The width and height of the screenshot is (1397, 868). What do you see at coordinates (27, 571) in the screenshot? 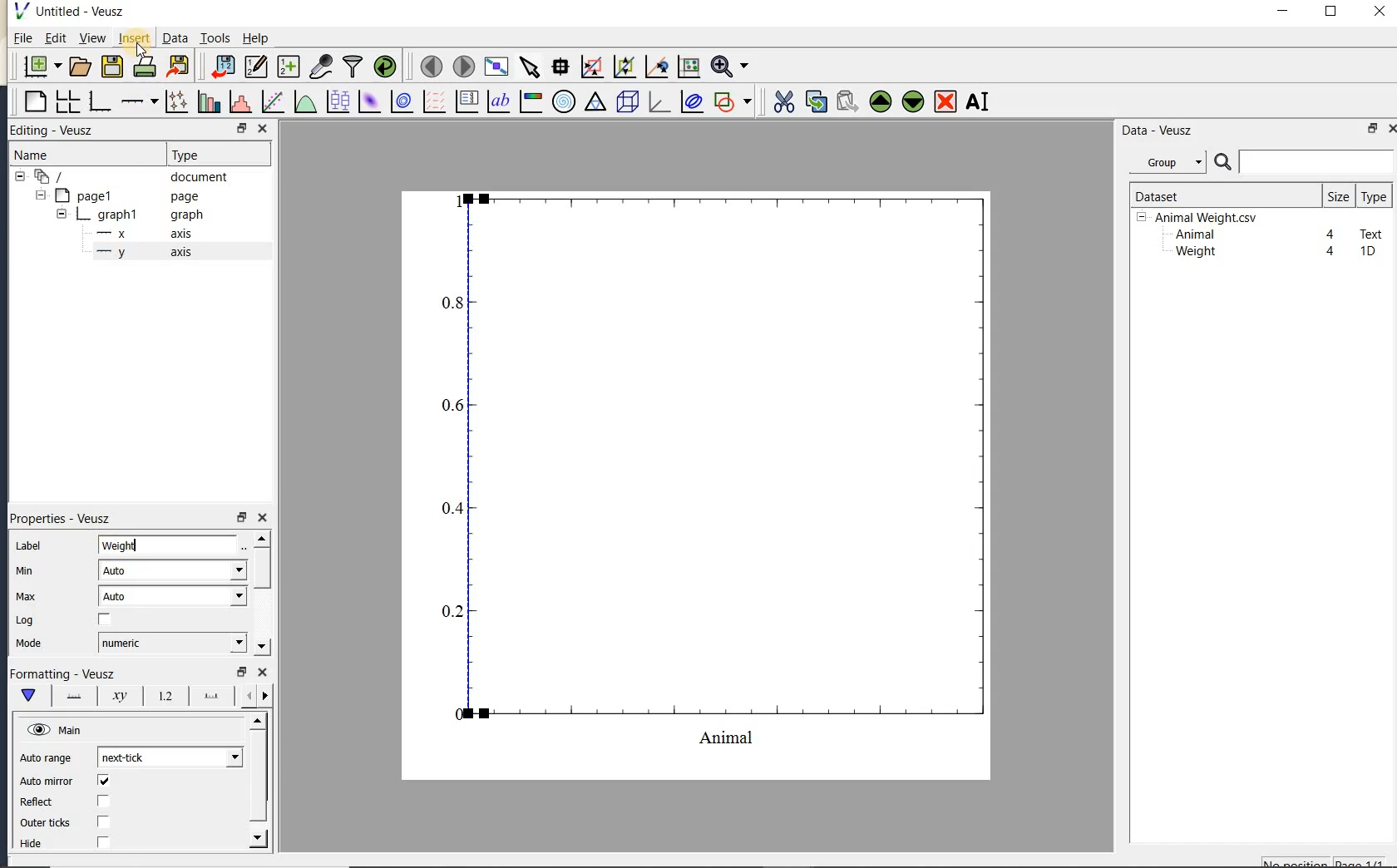
I see `Min` at bounding box center [27, 571].